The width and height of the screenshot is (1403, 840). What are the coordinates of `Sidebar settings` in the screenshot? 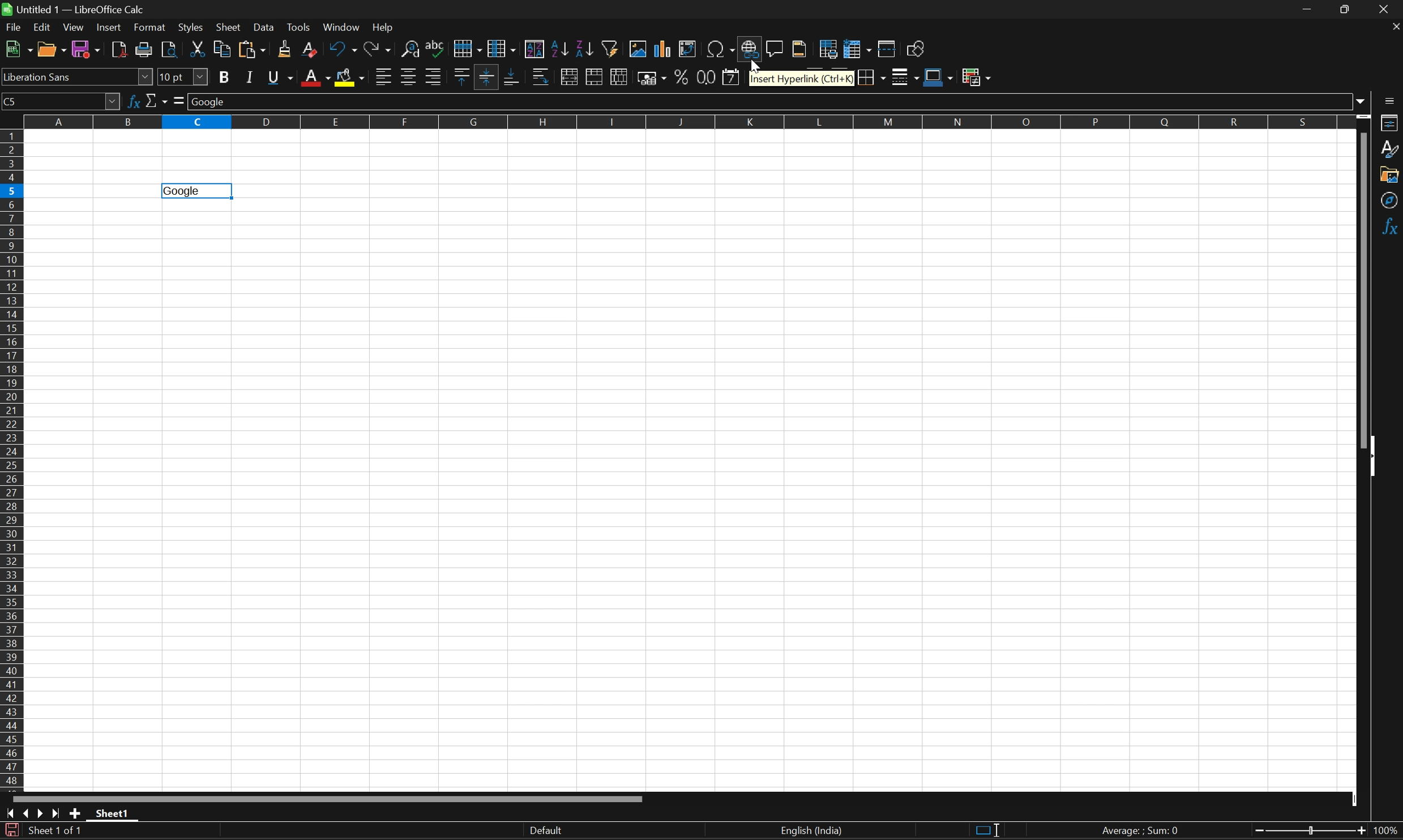 It's located at (1391, 100).